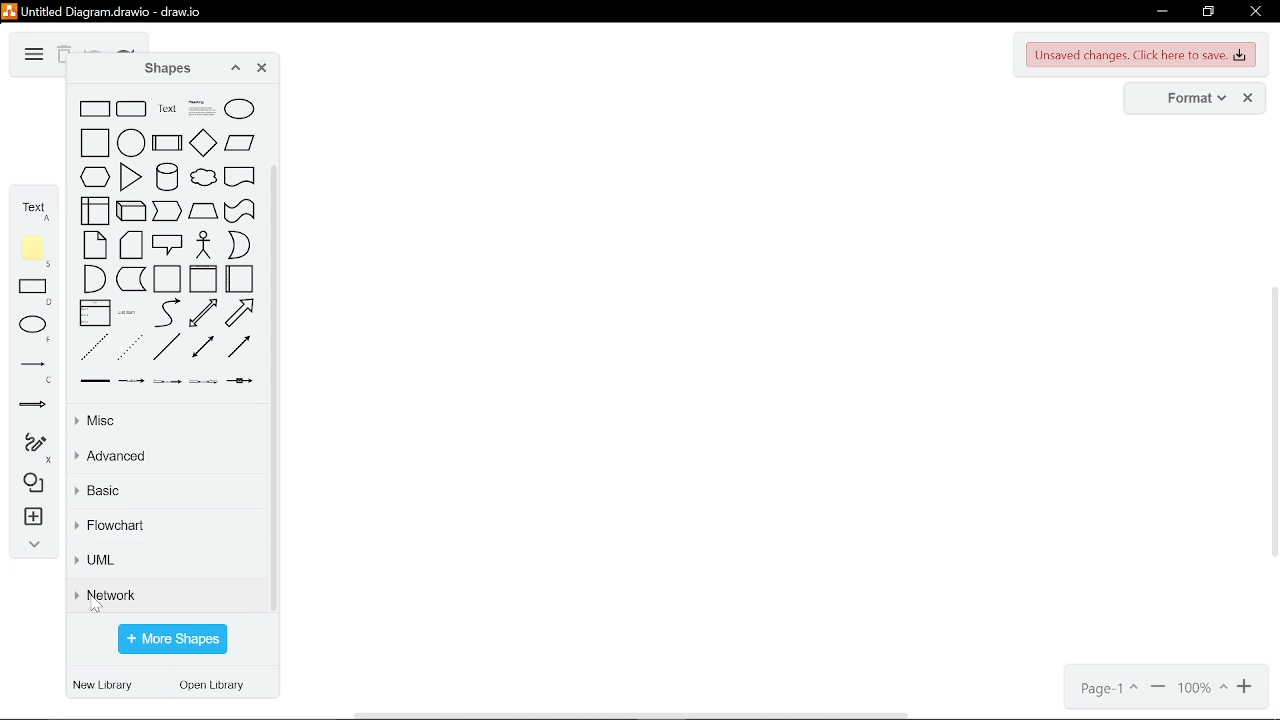 The image size is (1280, 720). Describe the element at coordinates (168, 527) in the screenshot. I see `flowchart` at that location.